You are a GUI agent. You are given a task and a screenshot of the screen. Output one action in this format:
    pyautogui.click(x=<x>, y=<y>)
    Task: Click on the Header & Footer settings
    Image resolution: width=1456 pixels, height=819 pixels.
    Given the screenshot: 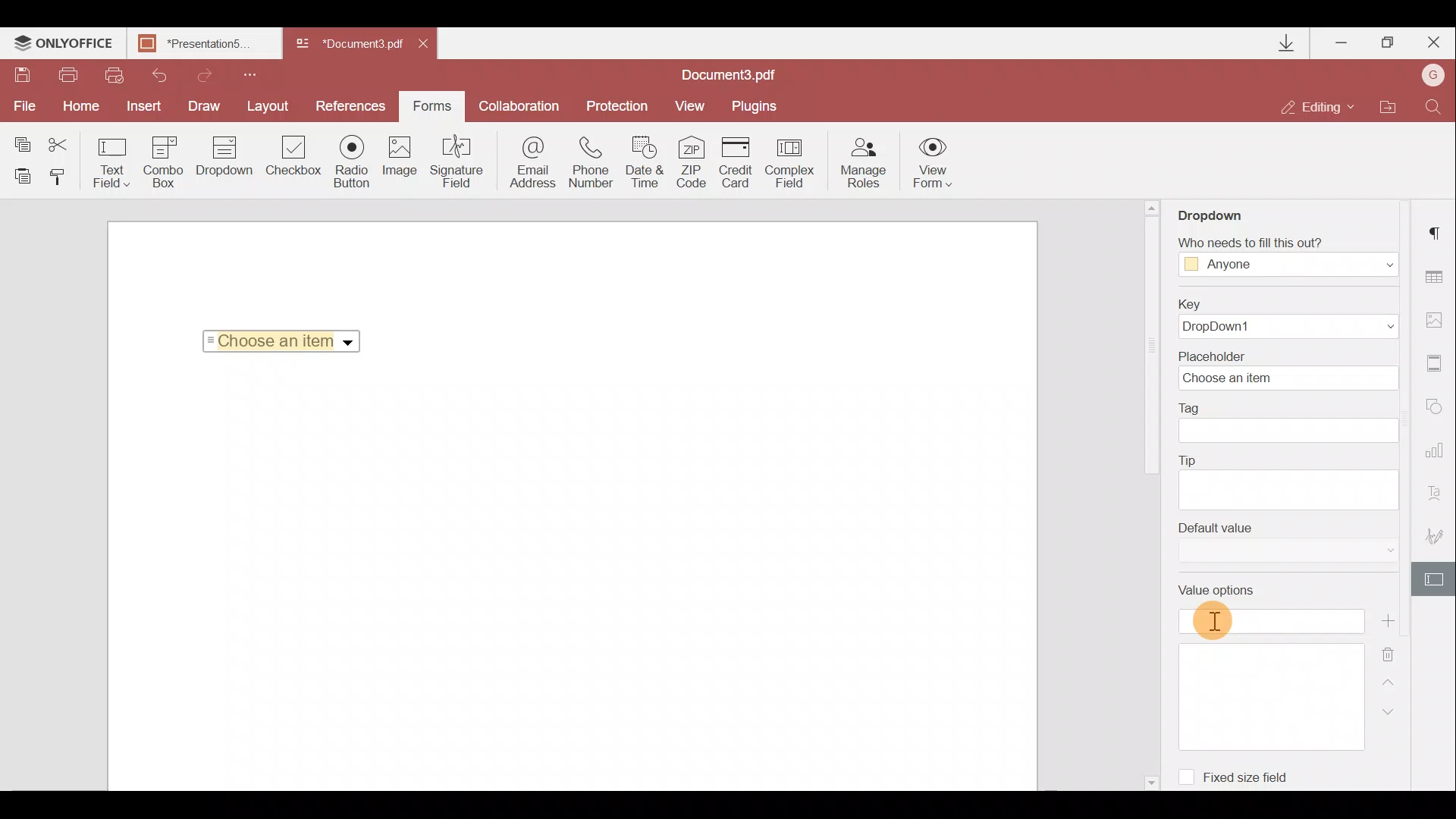 What is the action you would take?
    pyautogui.click(x=1438, y=366)
    